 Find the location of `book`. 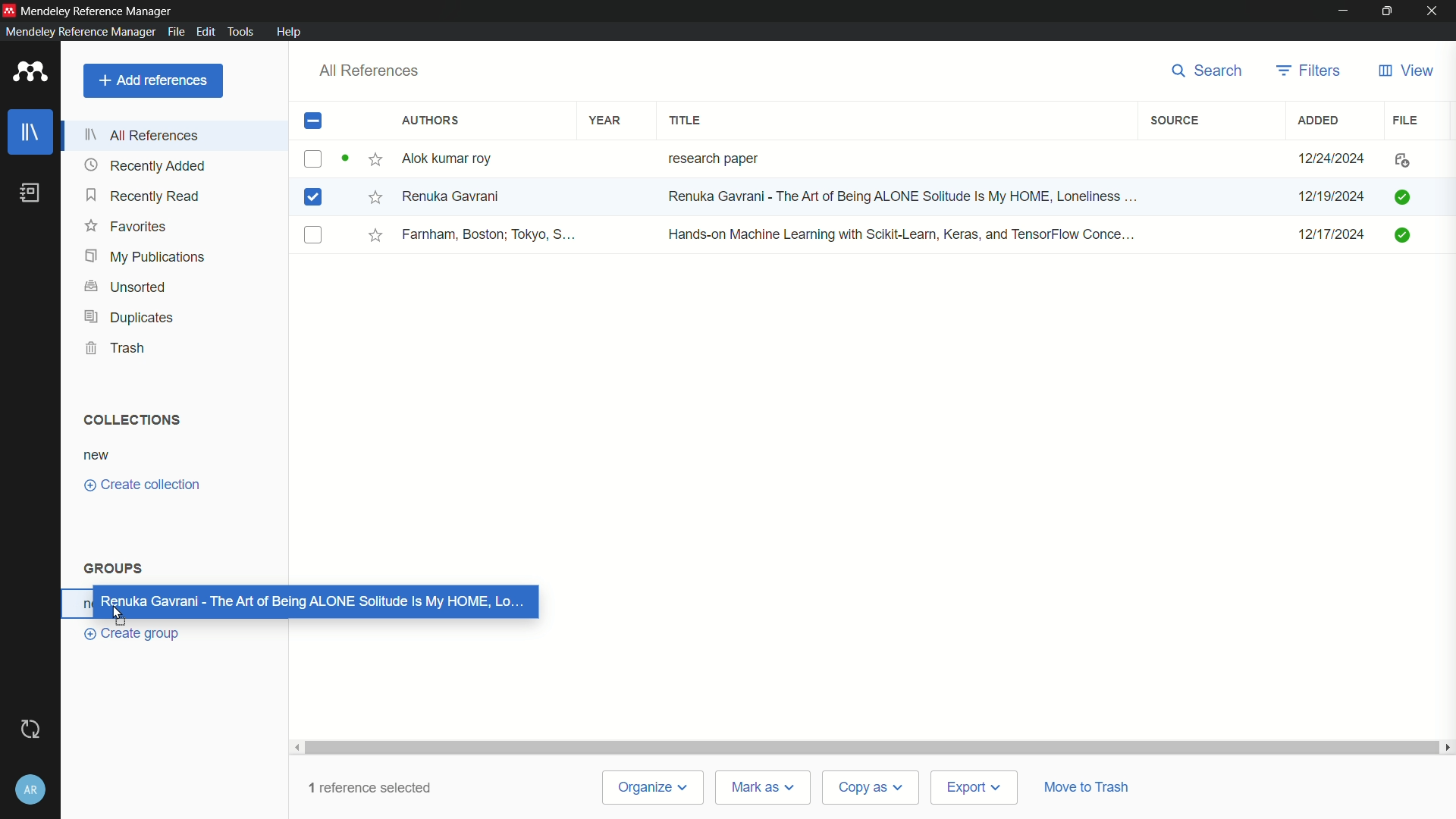

book is located at coordinates (30, 193).